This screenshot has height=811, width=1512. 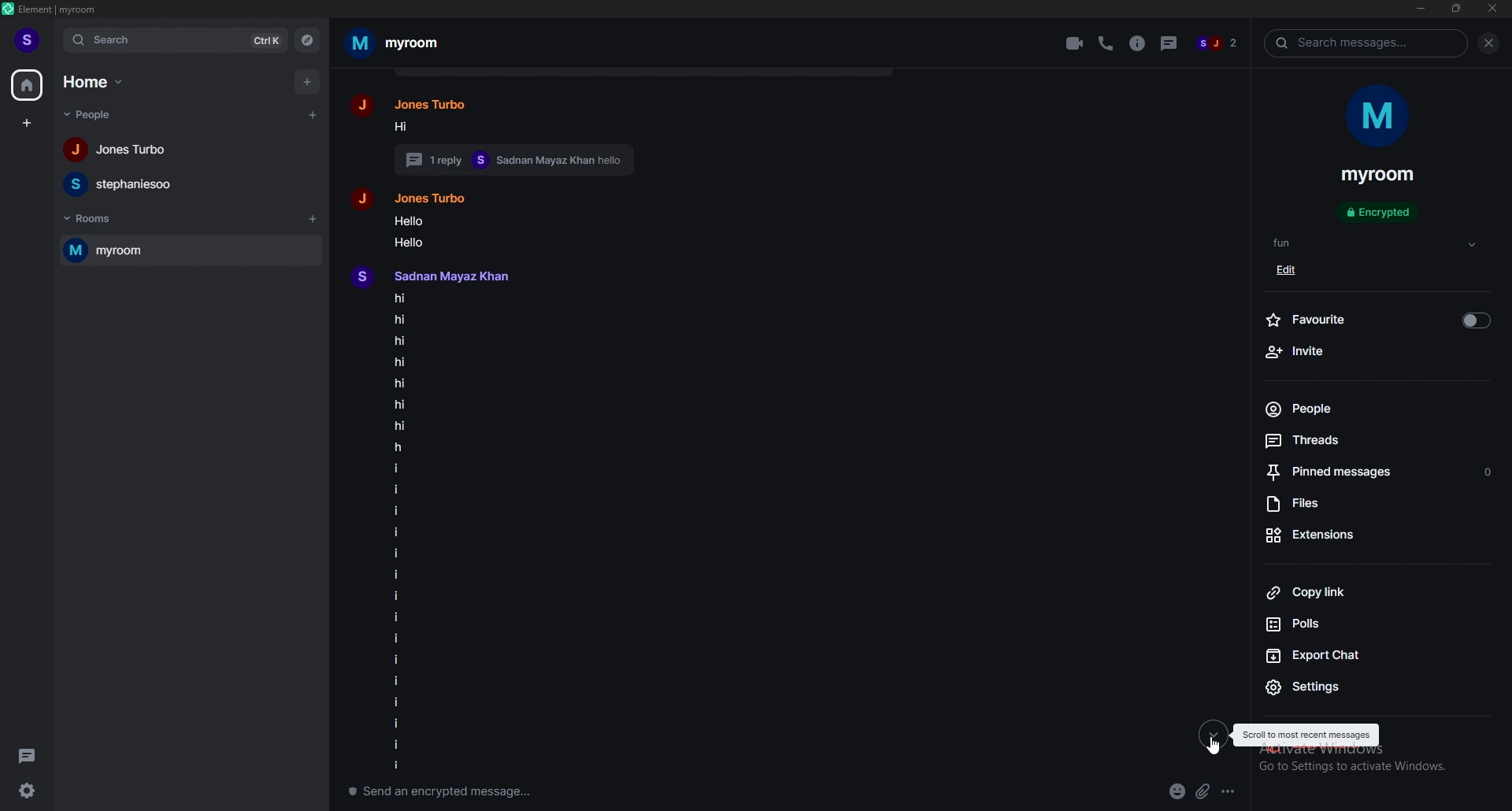 What do you see at coordinates (1367, 43) in the screenshot?
I see `search messages...` at bounding box center [1367, 43].